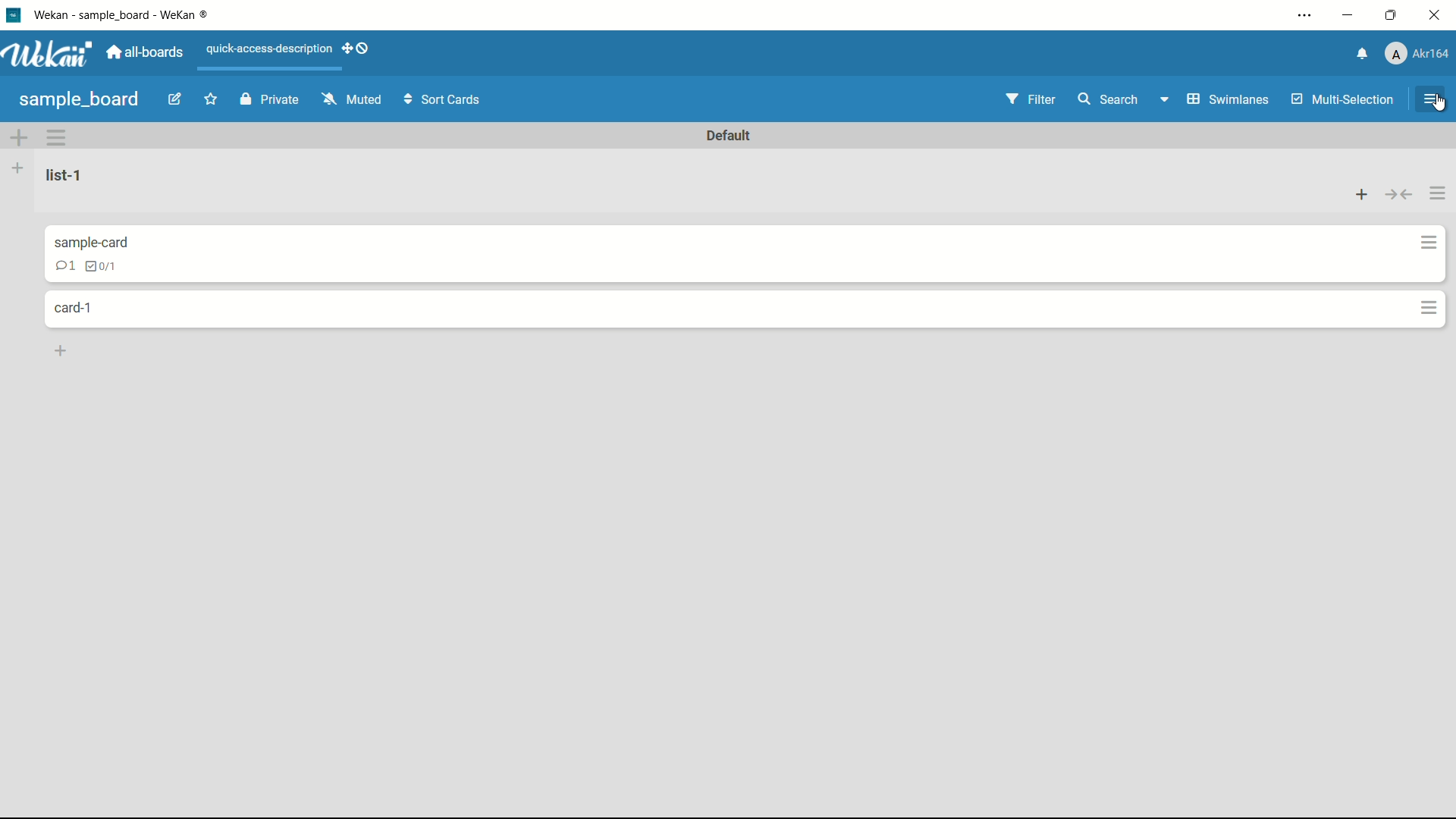  What do you see at coordinates (1341, 101) in the screenshot?
I see `multi-selection` at bounding box center [1341, 101].